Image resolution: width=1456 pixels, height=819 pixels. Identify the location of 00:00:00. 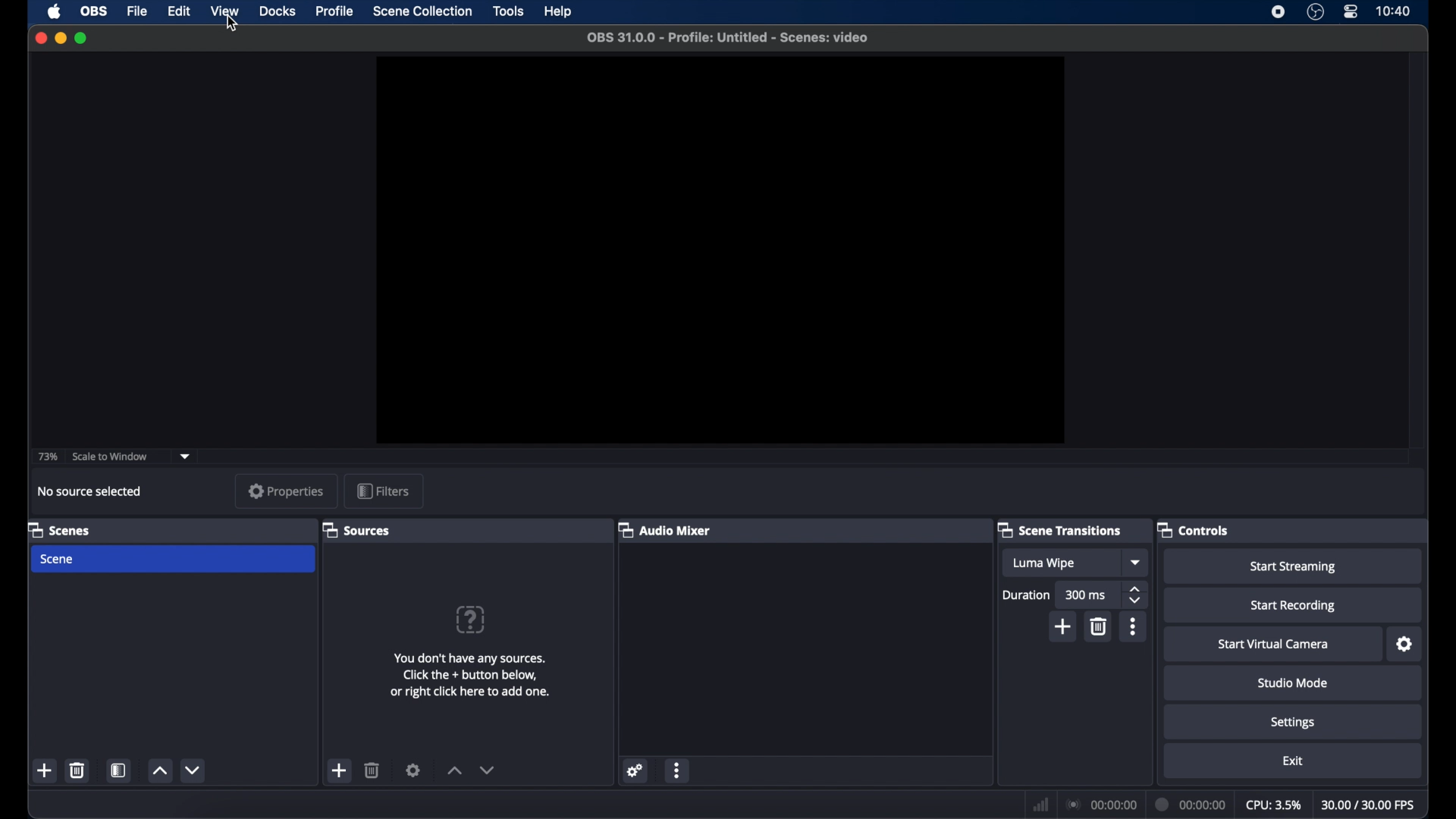
(1191, 803).